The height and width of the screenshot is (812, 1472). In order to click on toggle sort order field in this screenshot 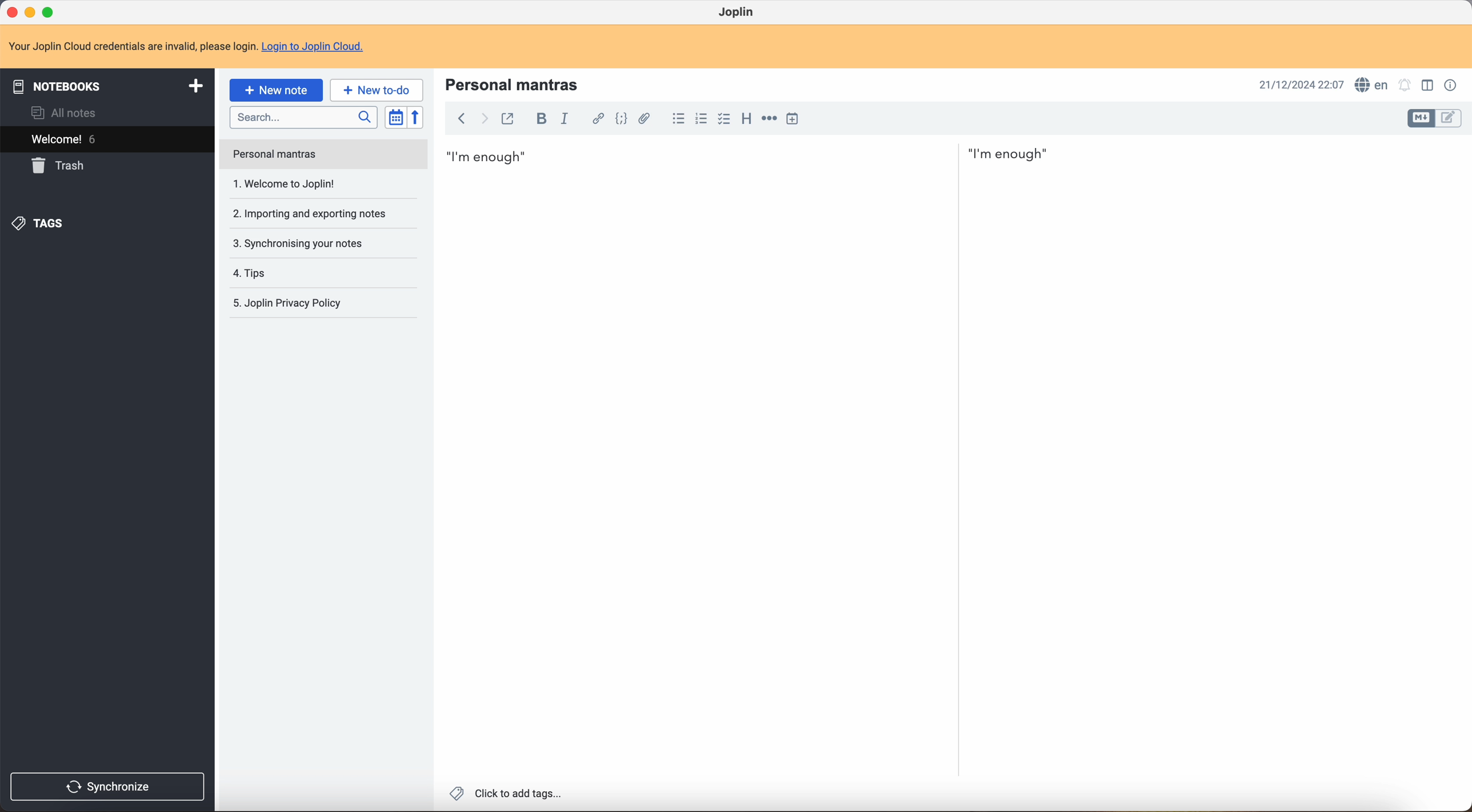, I will do `click(395, 117)`.